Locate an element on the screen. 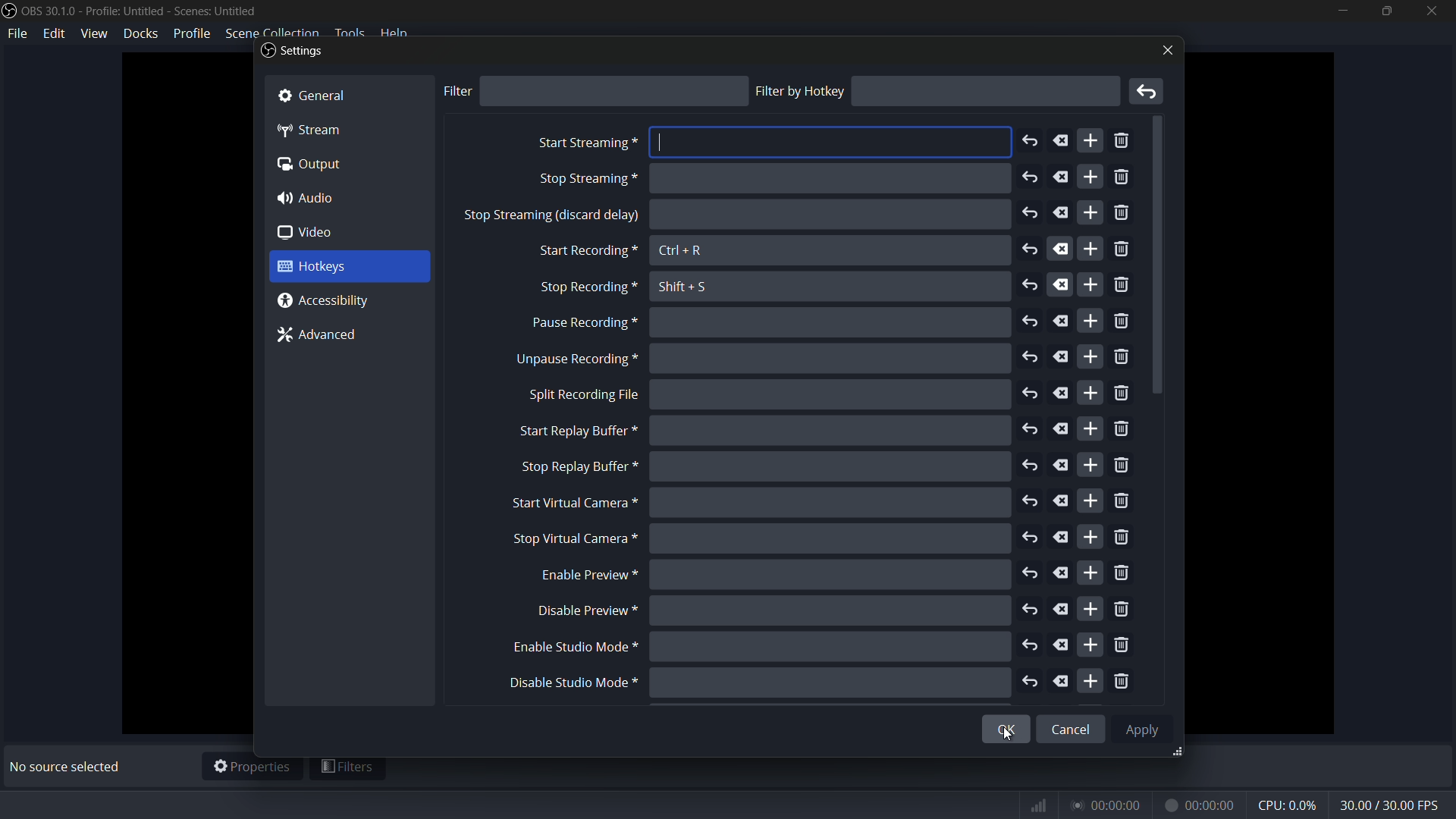  add more is located at coordinates (1091, 680).